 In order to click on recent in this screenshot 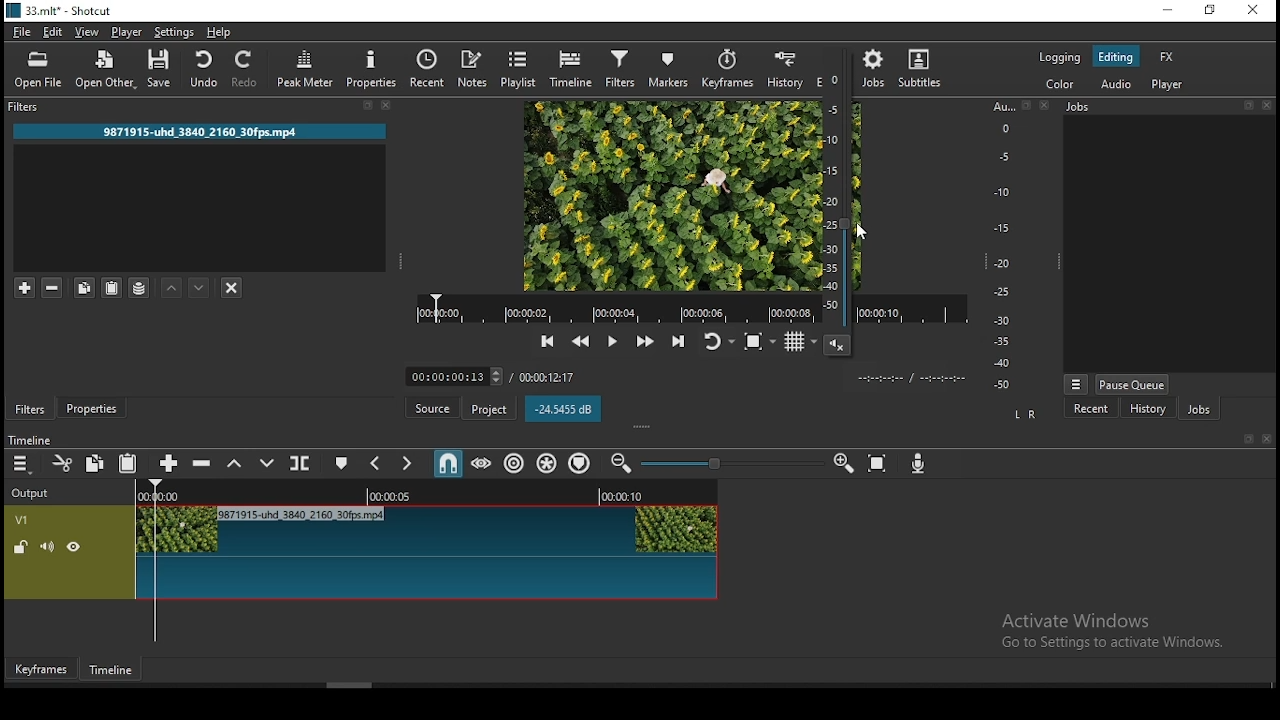, I will do `click(1095, 409)`.